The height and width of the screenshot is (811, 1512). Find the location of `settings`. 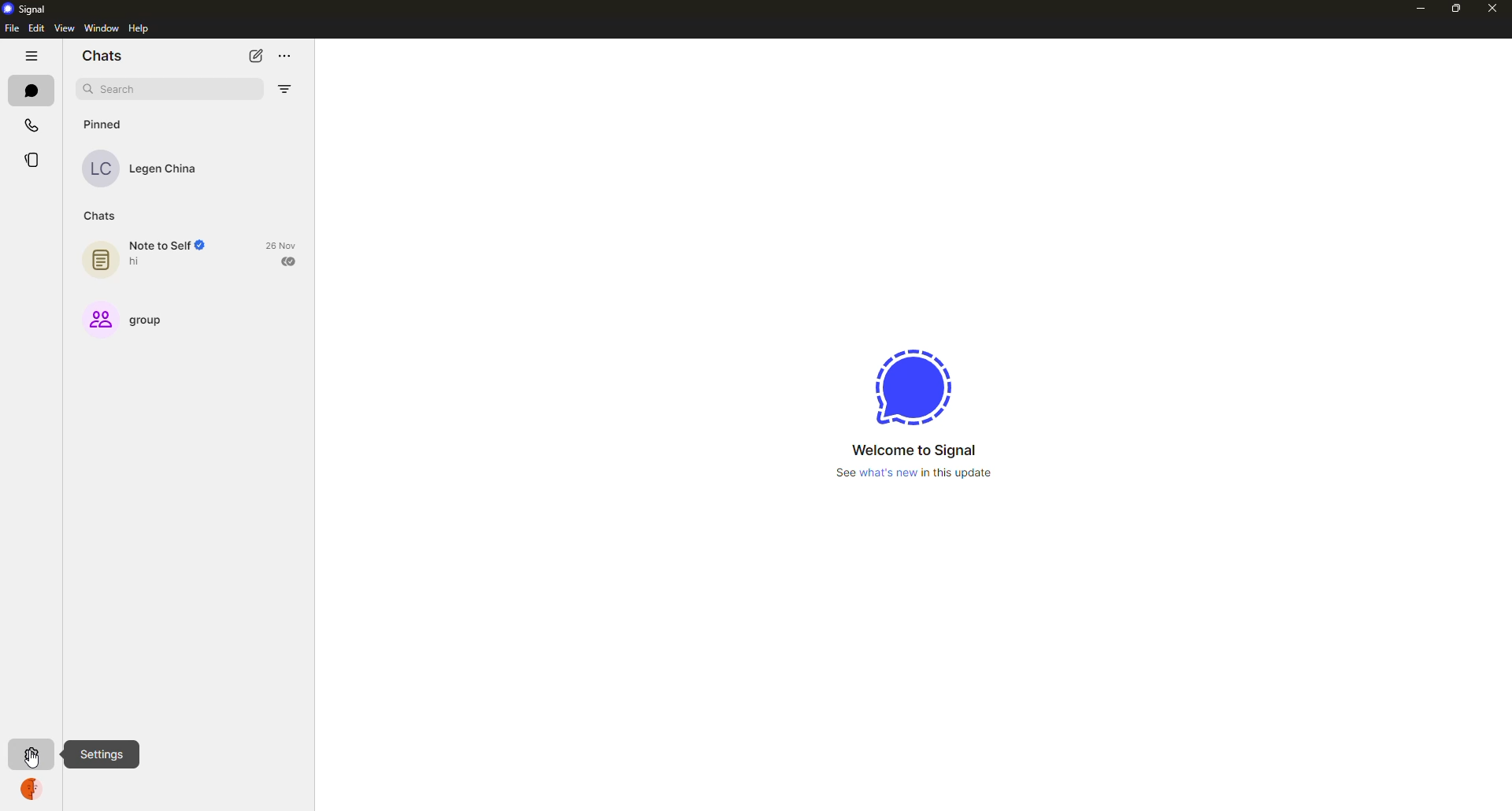

settings is located at coordinates (30, 753).